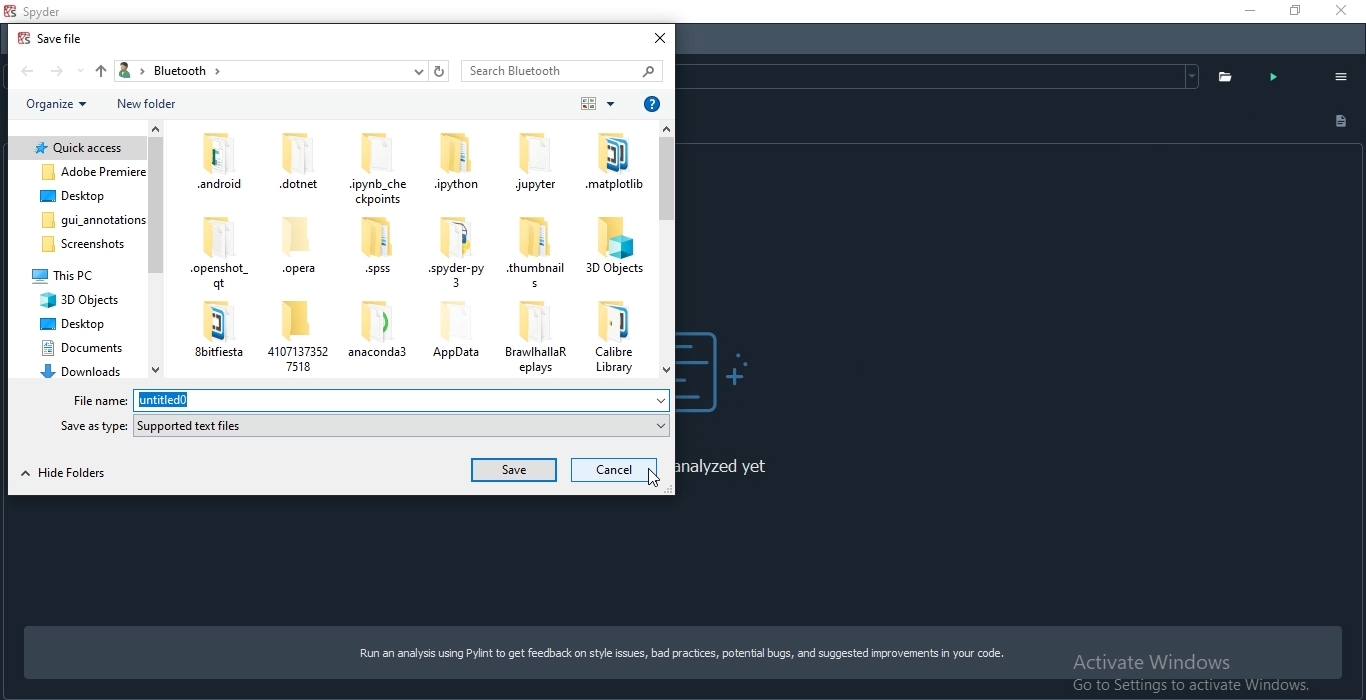 Image resolution: width=1366 pixels, height=700 pixels. What do you see at coordinates (64, 472) in the screenshot?
I see `hide folder` at bounding box center [64, 472].